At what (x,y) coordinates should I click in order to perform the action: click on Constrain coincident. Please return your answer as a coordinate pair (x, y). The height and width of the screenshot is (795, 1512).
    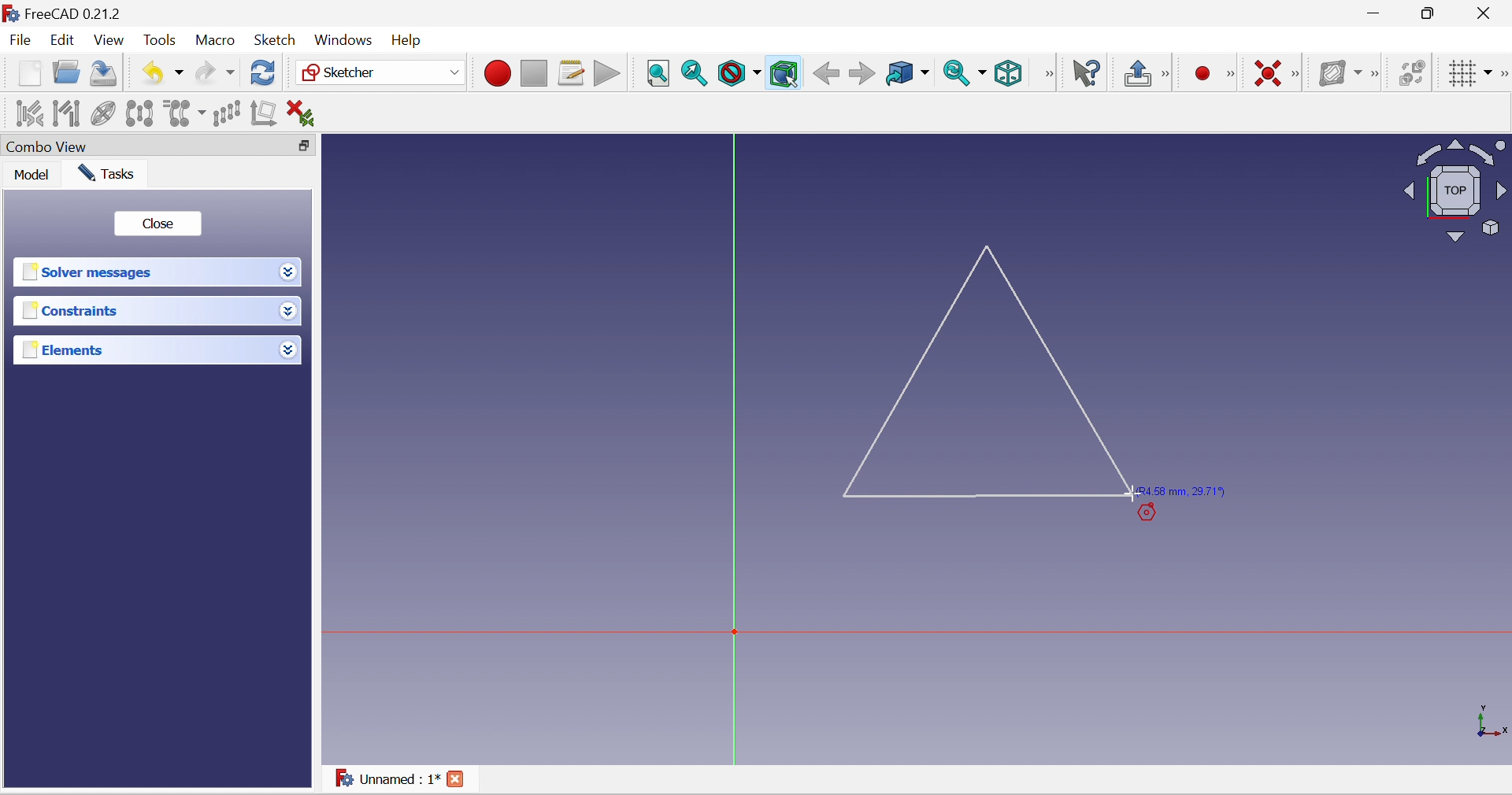
    Looking at the image, I should click on (1269, 74).